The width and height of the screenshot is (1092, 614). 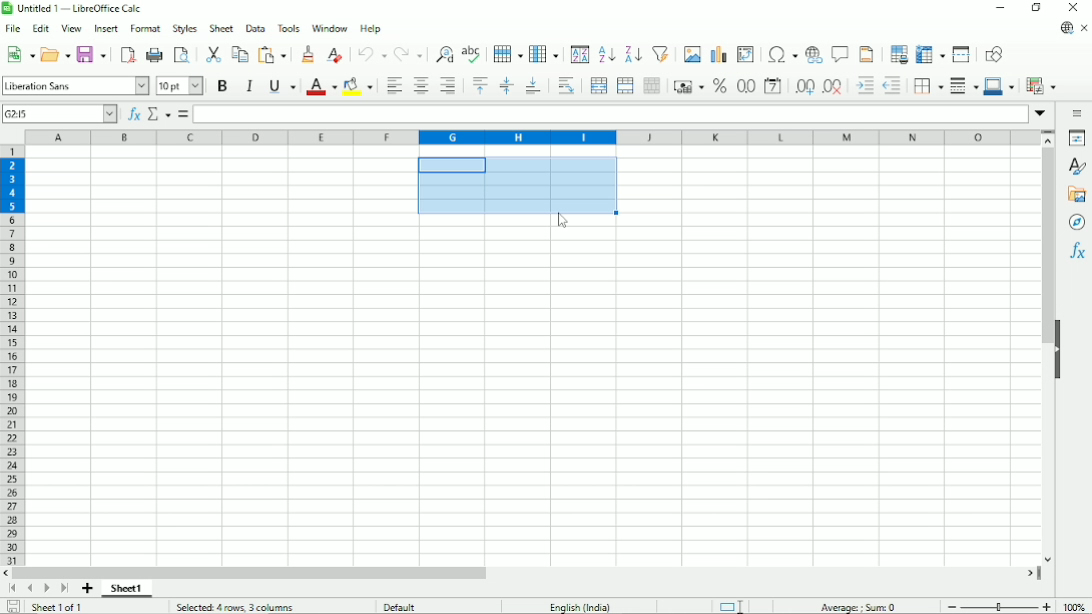 What do you see at coordinates (407, 53) in the screenshot?
I see `Redo` at bounding box center [407, 53].